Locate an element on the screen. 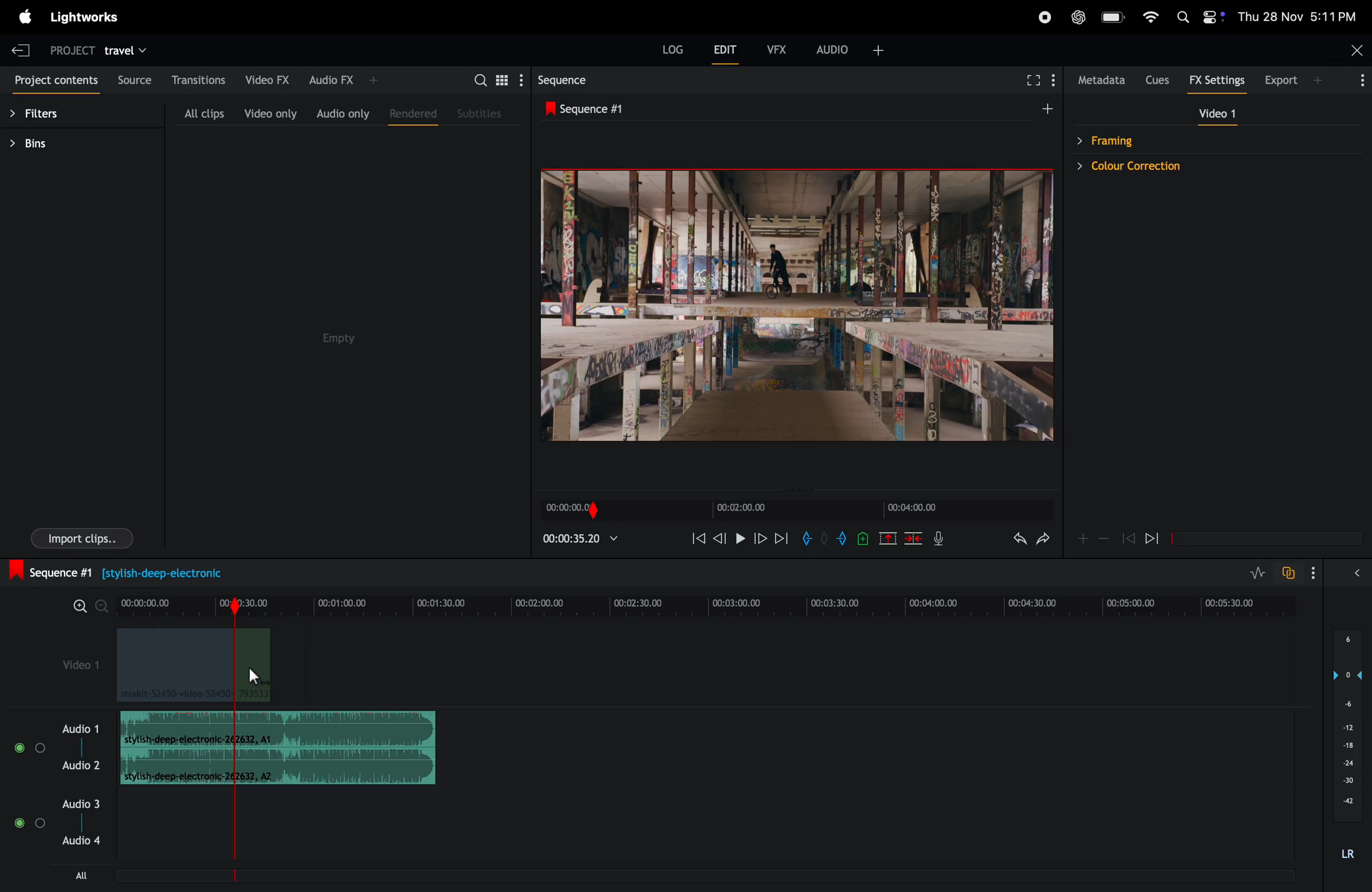  audio fx is located at coordinates (351, 77).